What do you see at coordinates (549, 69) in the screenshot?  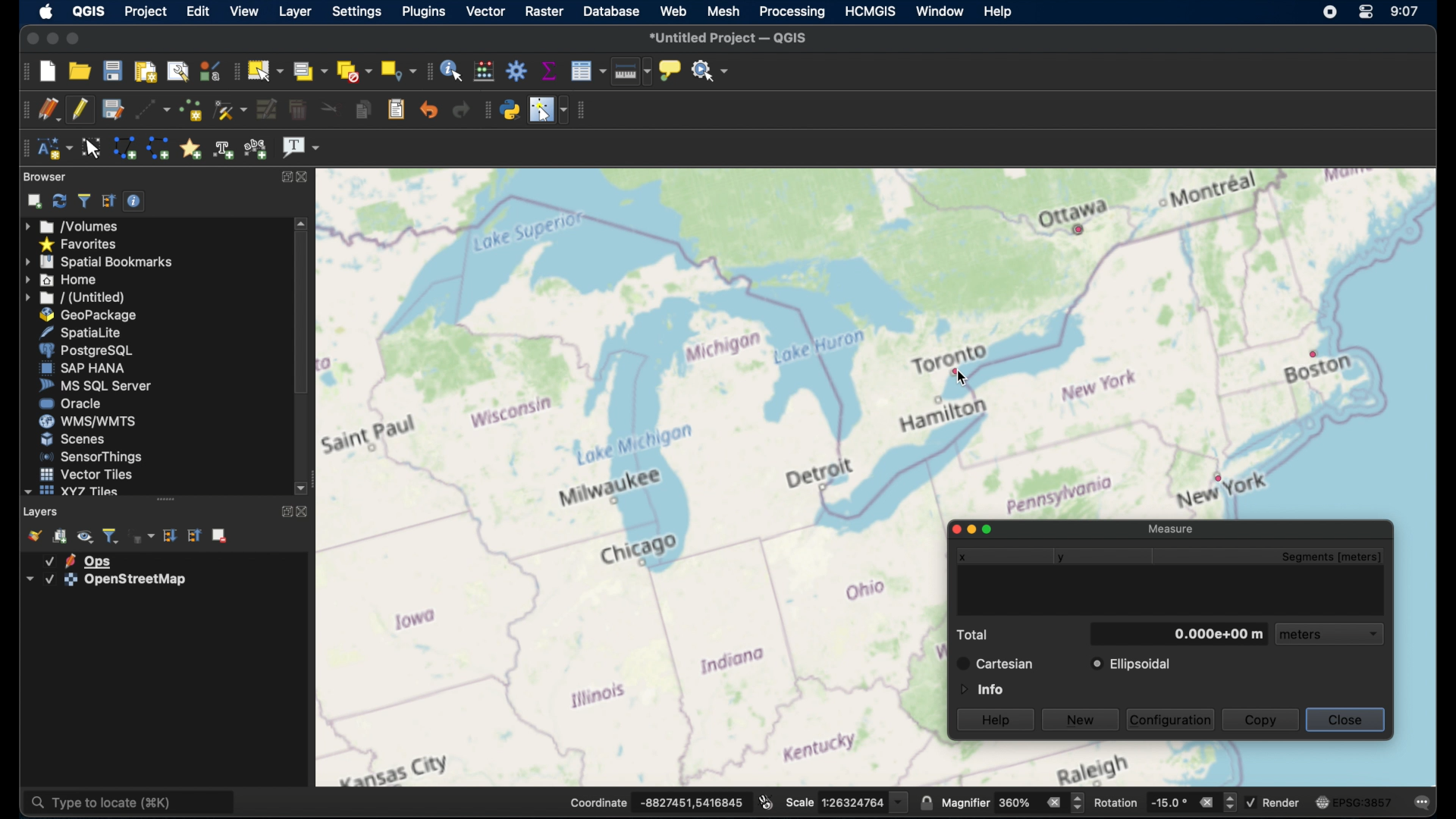 I see `show statistical summary` at bounding box center [549, 69].